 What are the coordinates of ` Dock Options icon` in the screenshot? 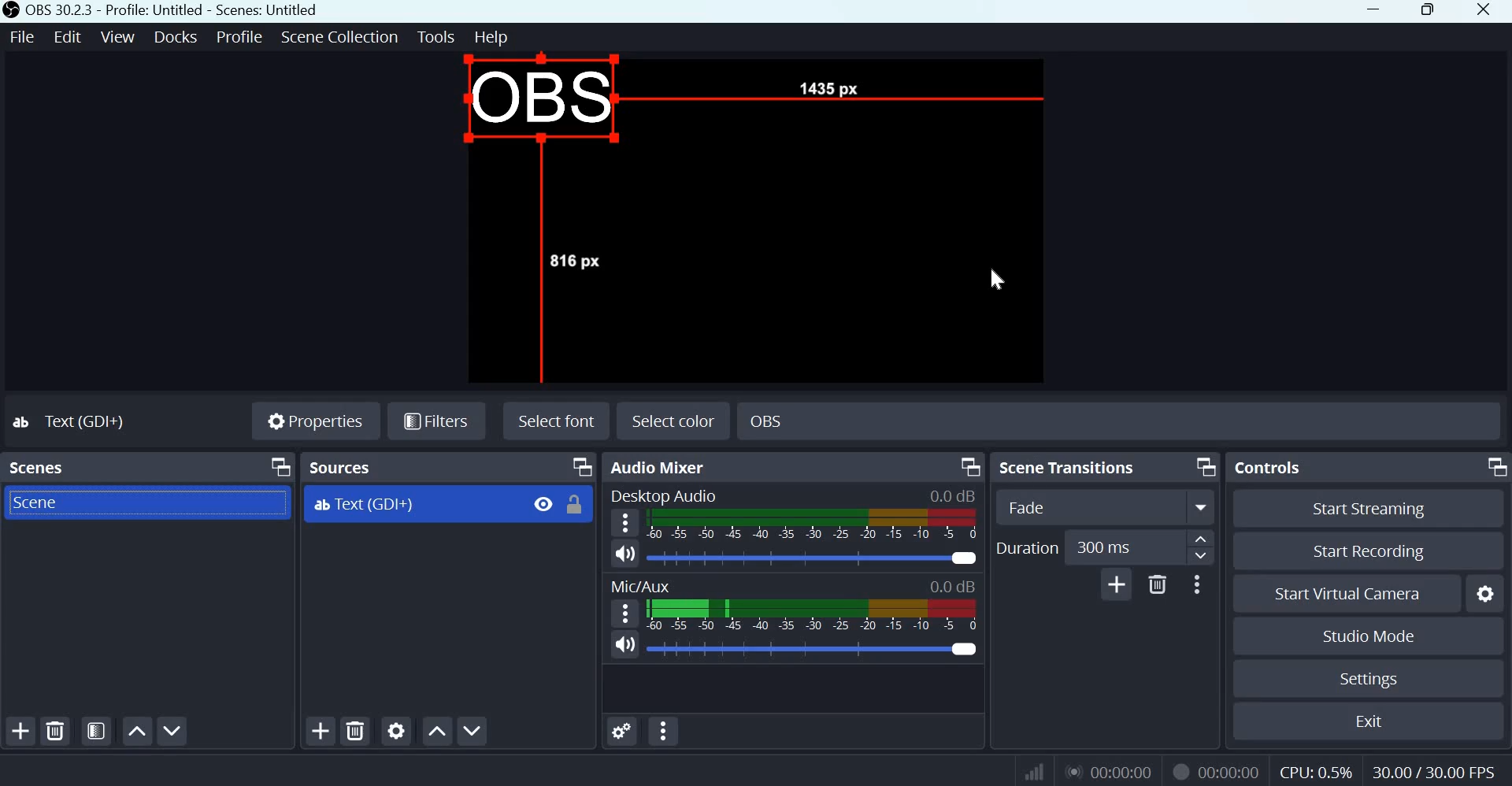 It's located at (580, 466).